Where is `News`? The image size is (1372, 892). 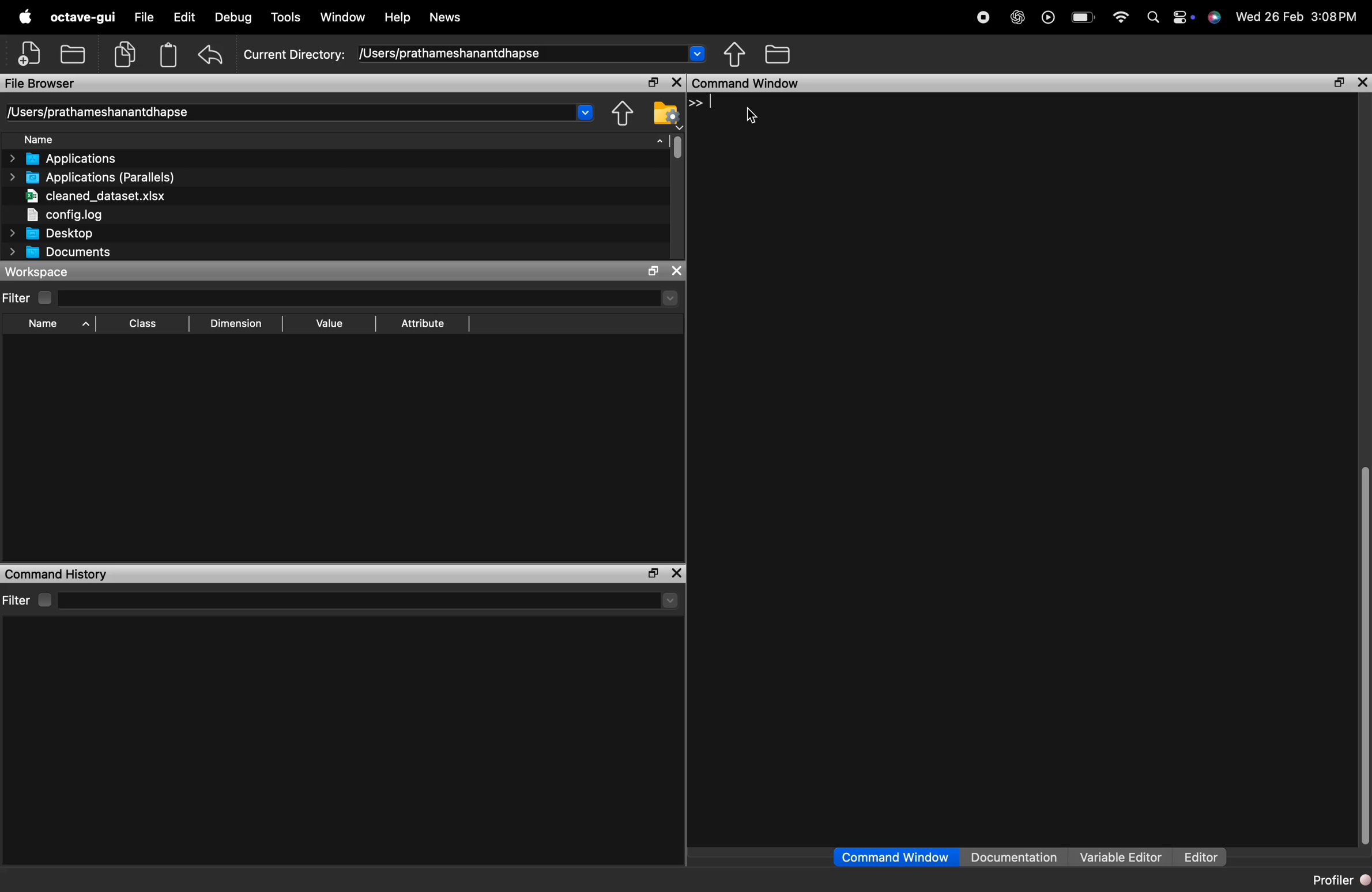
News is located at coordinates (443, 18).